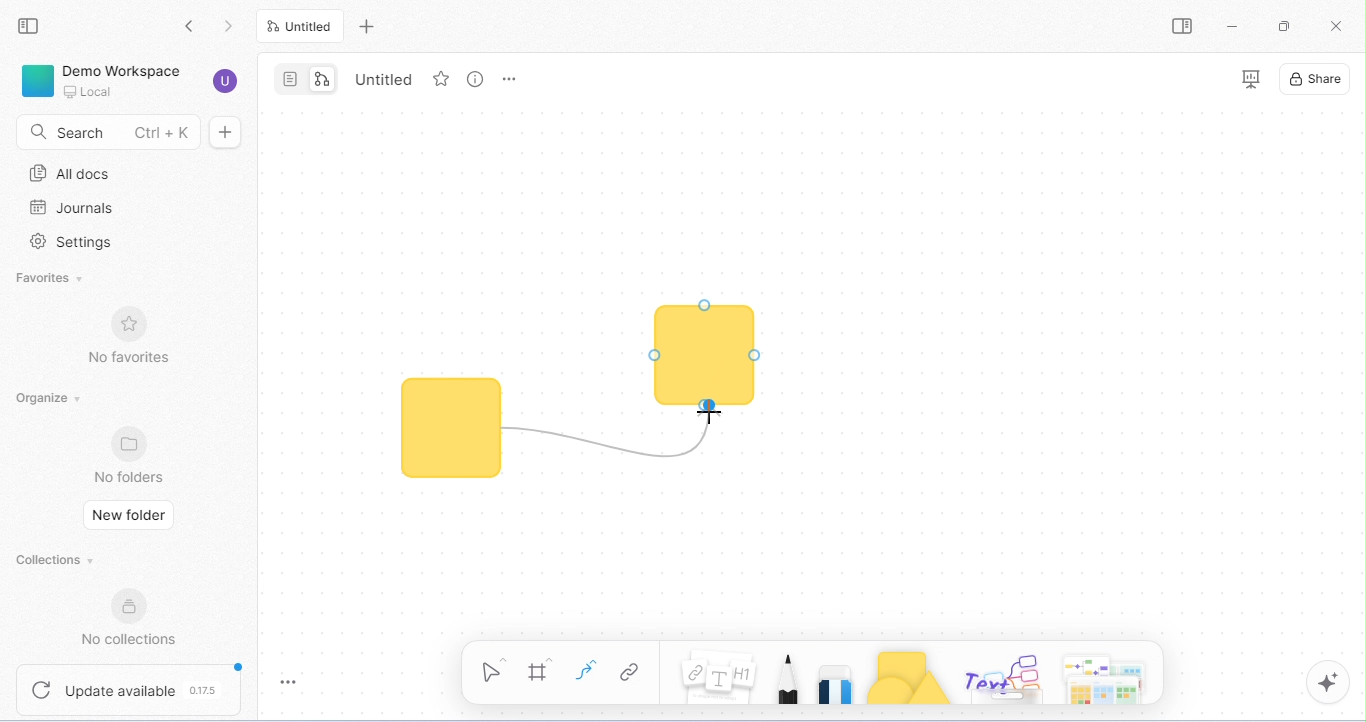 This screenshot has height=722, width=1366. Describe the element at coordinates (370, 26) in the screenshot. I see `new tab` at that location.